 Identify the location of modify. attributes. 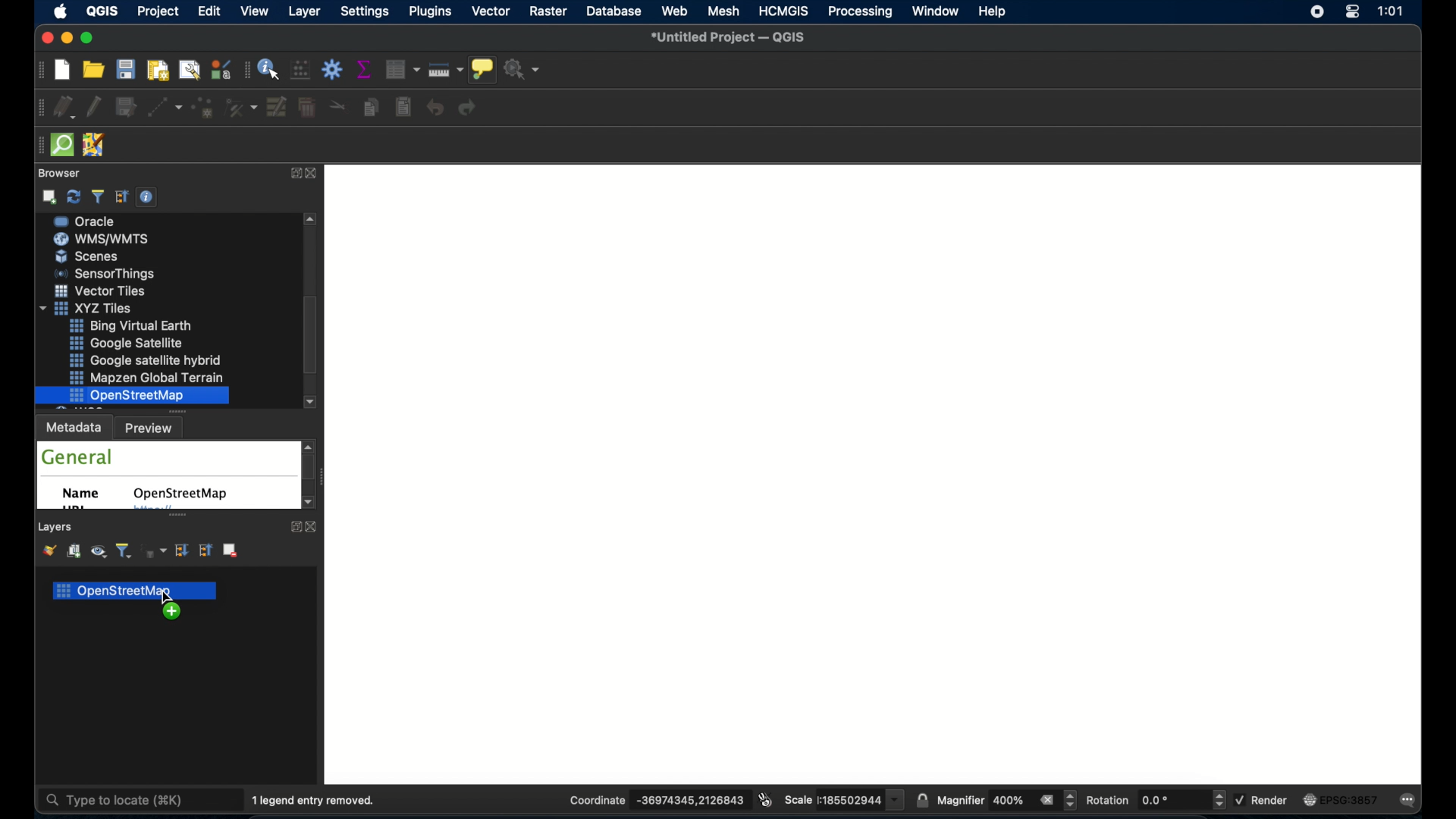
(278, 108).